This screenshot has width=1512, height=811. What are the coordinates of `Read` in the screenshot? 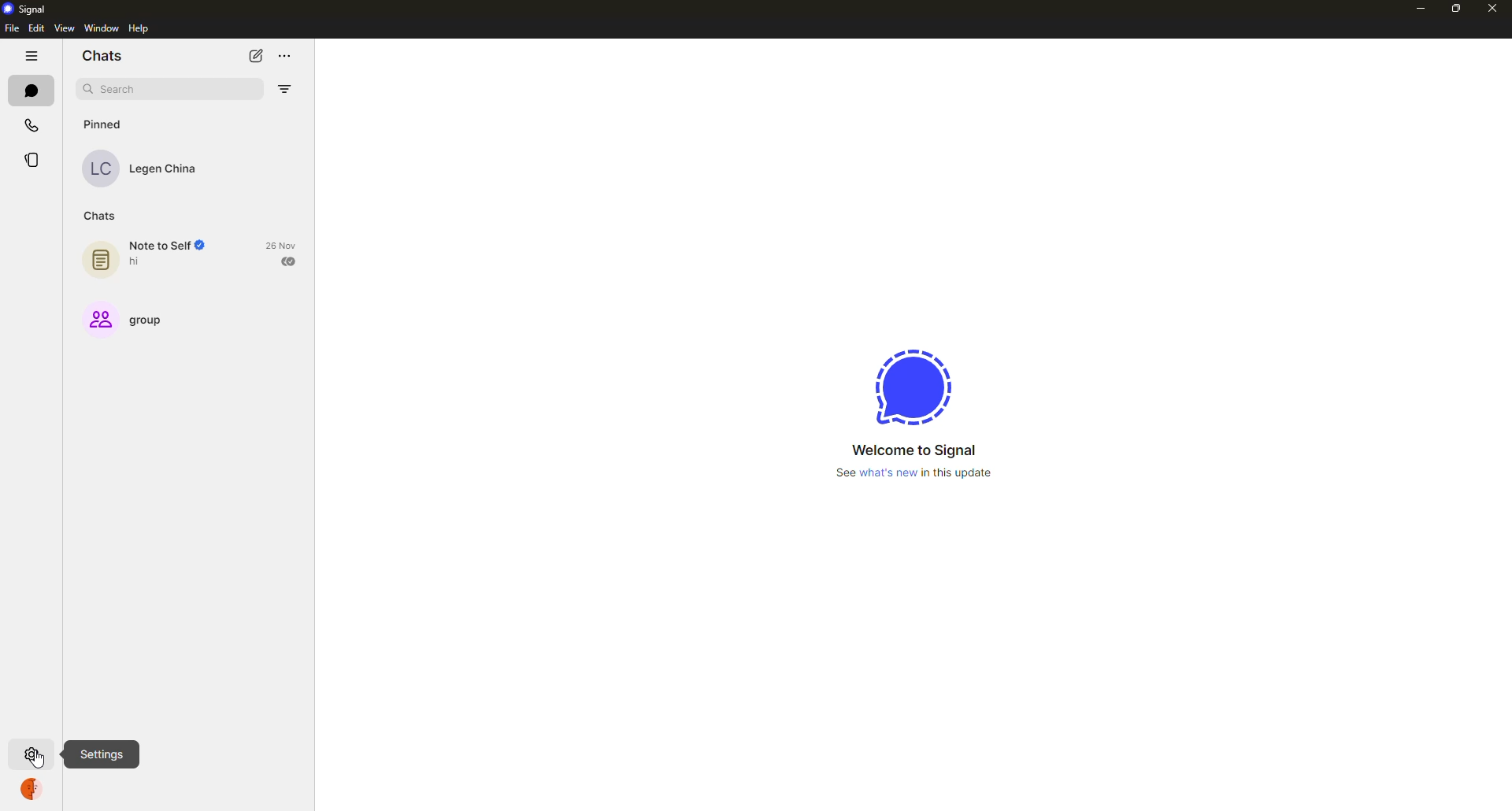 It's located at (291, 262).